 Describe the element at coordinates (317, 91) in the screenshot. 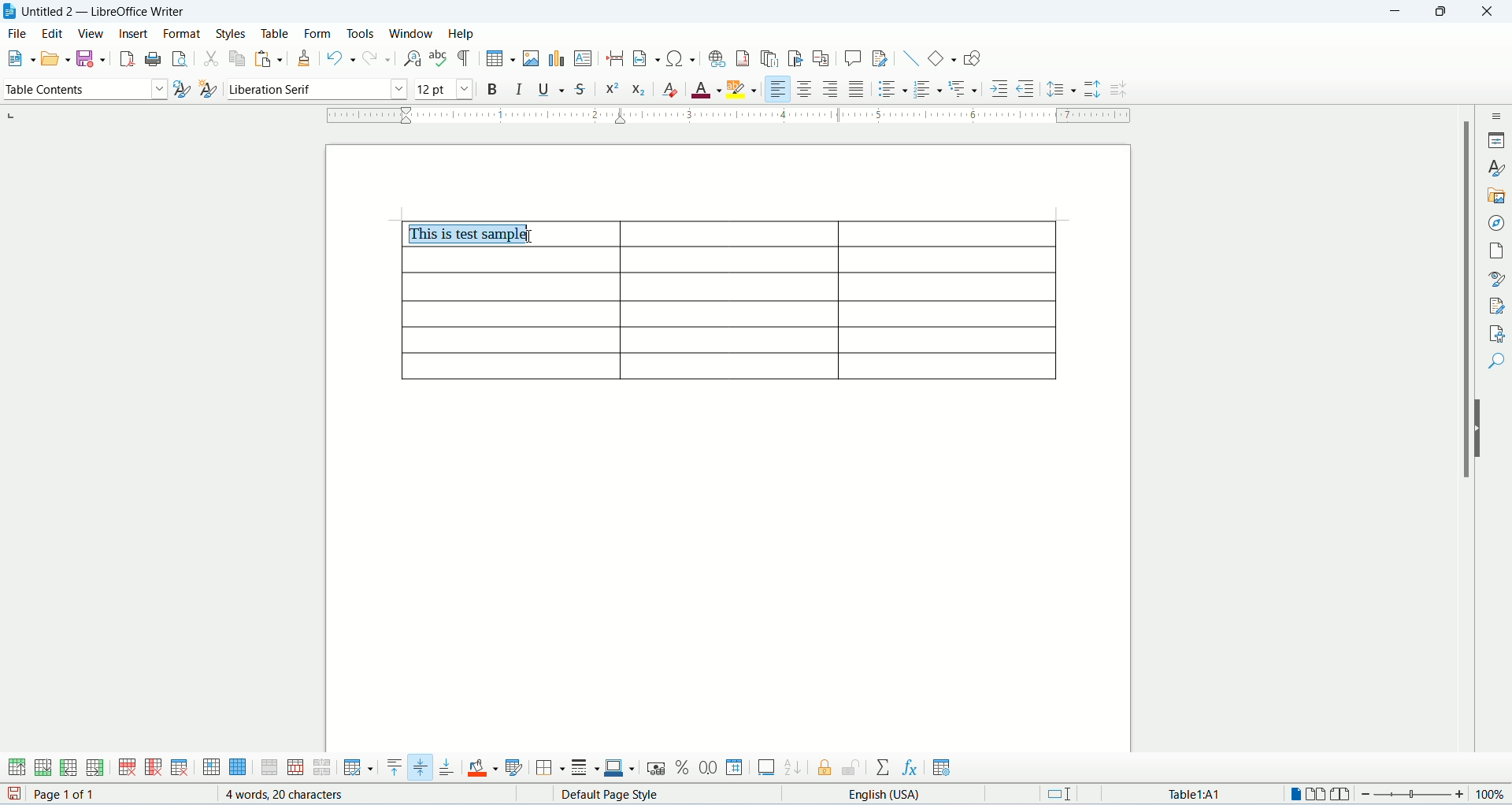

I see `font name` at that location.